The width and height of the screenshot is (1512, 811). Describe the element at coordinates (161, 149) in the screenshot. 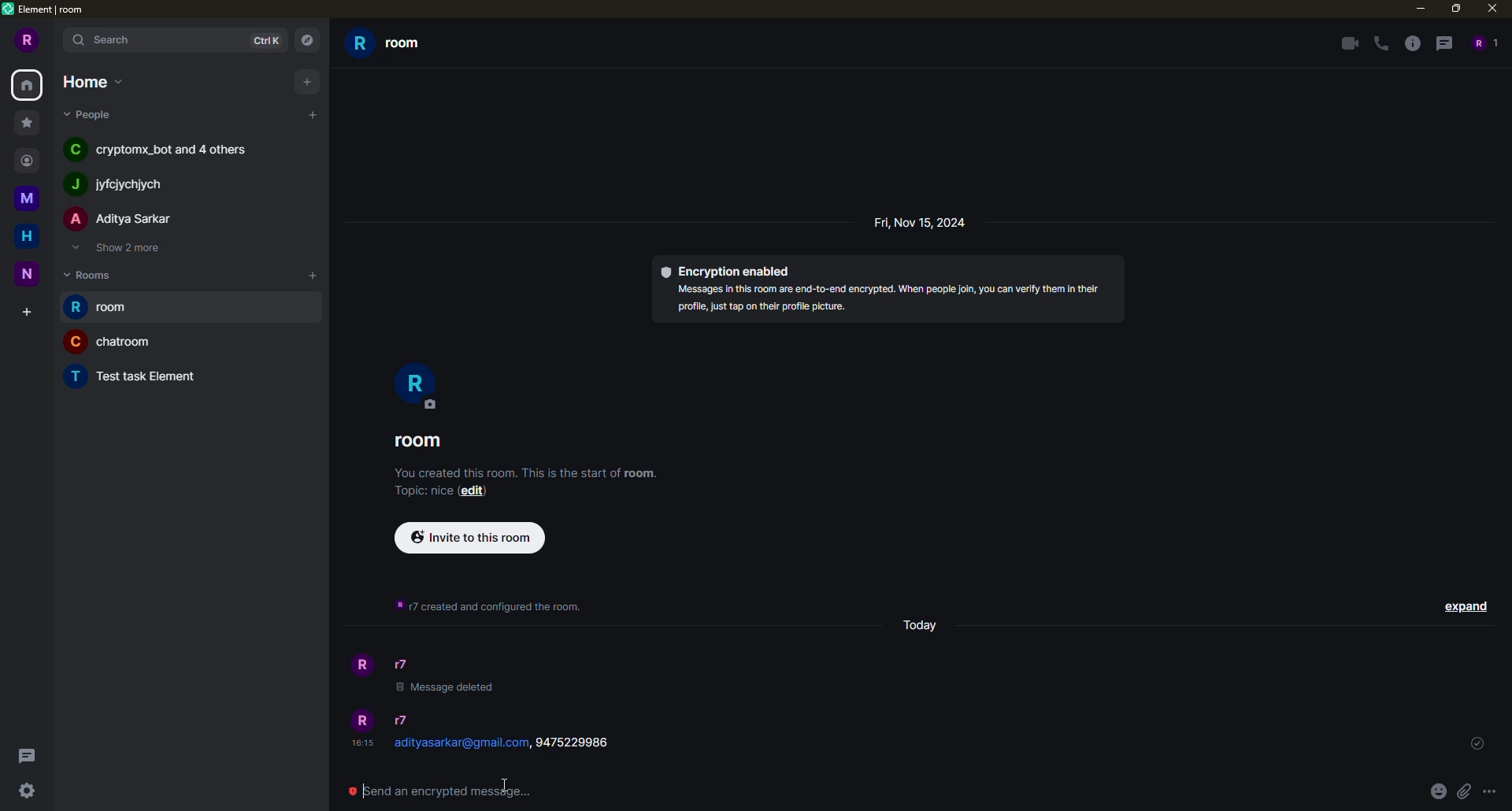

I see `people` at that location.